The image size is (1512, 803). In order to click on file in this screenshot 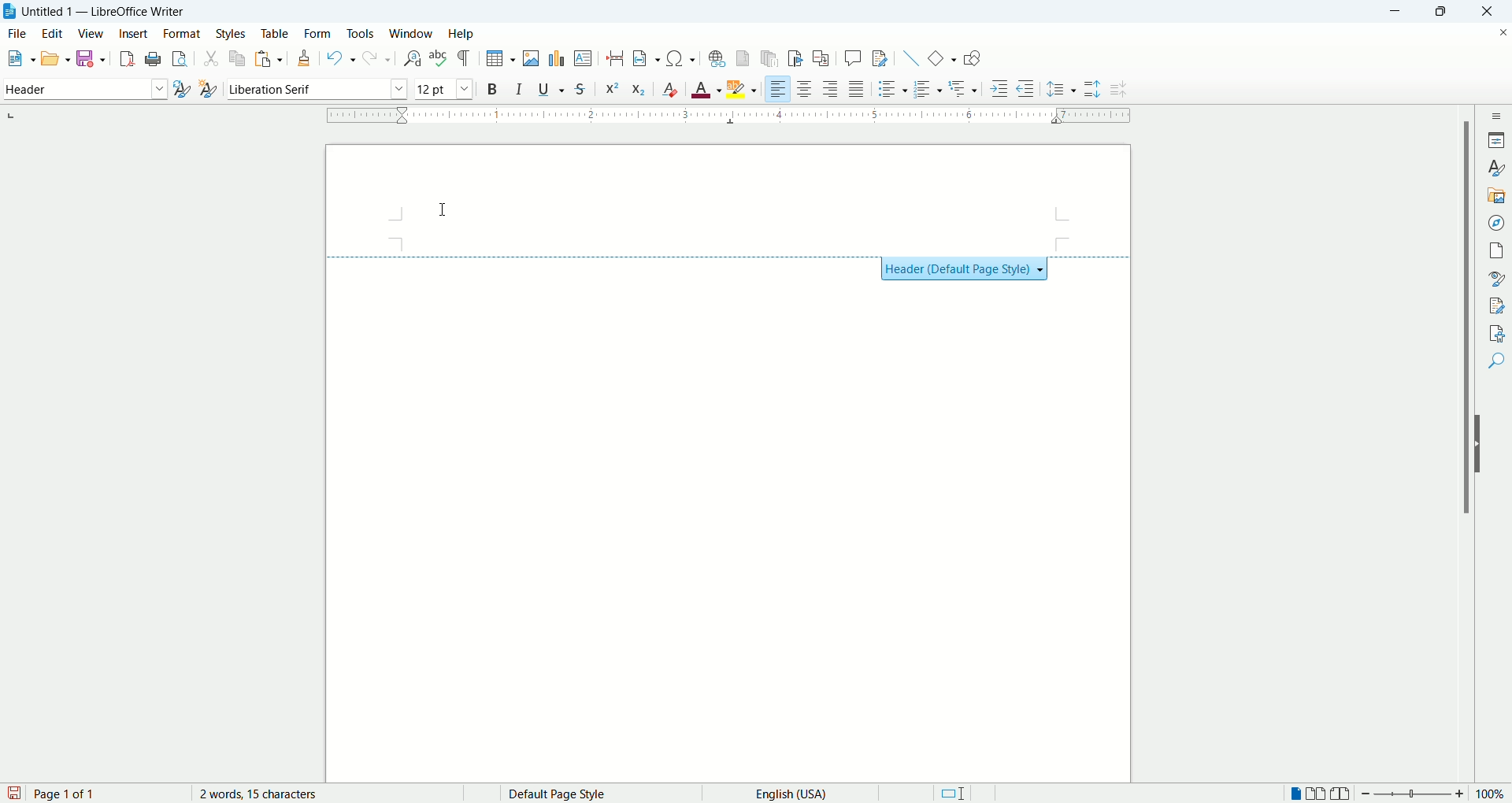, I will do `click(18, 33)`.